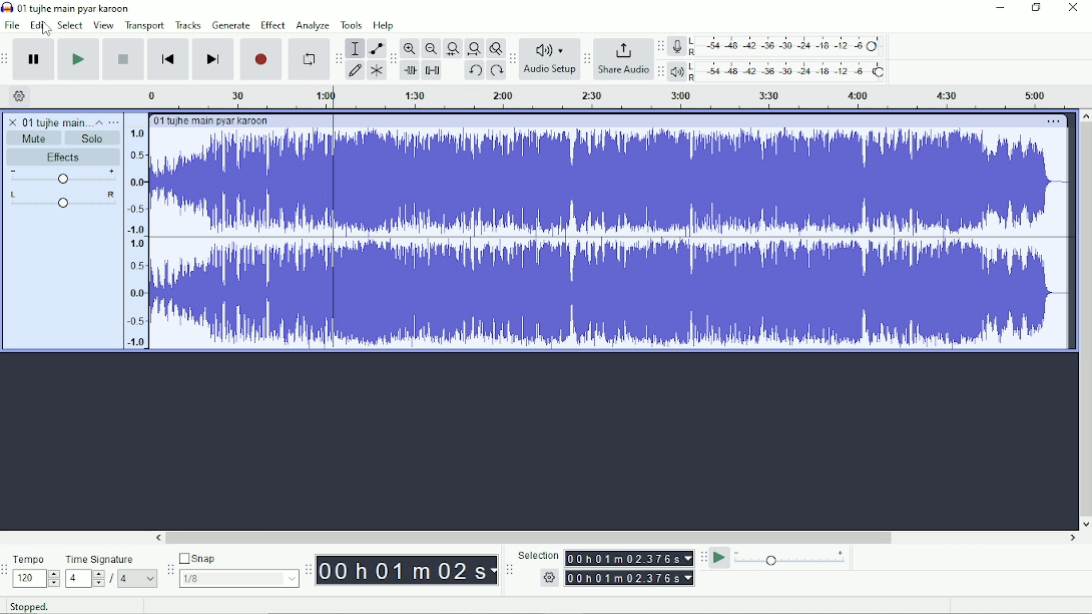 Image resolution: width=1092 pixels, height=614 pixels. I want to click on File, so click(11, 25).